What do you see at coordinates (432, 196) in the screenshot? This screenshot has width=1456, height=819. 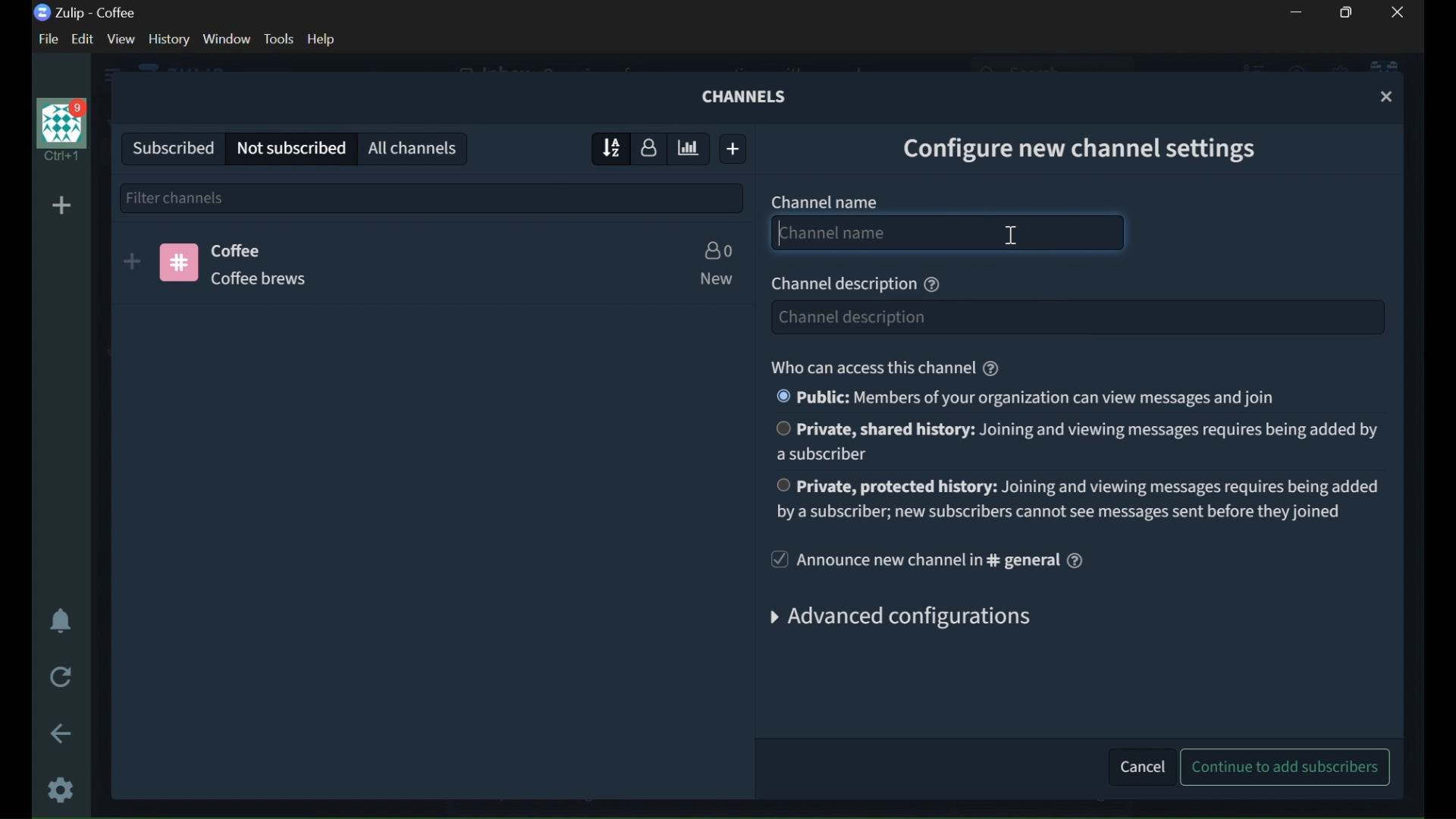 I see `filter channels` at bounding box center [432, 196].